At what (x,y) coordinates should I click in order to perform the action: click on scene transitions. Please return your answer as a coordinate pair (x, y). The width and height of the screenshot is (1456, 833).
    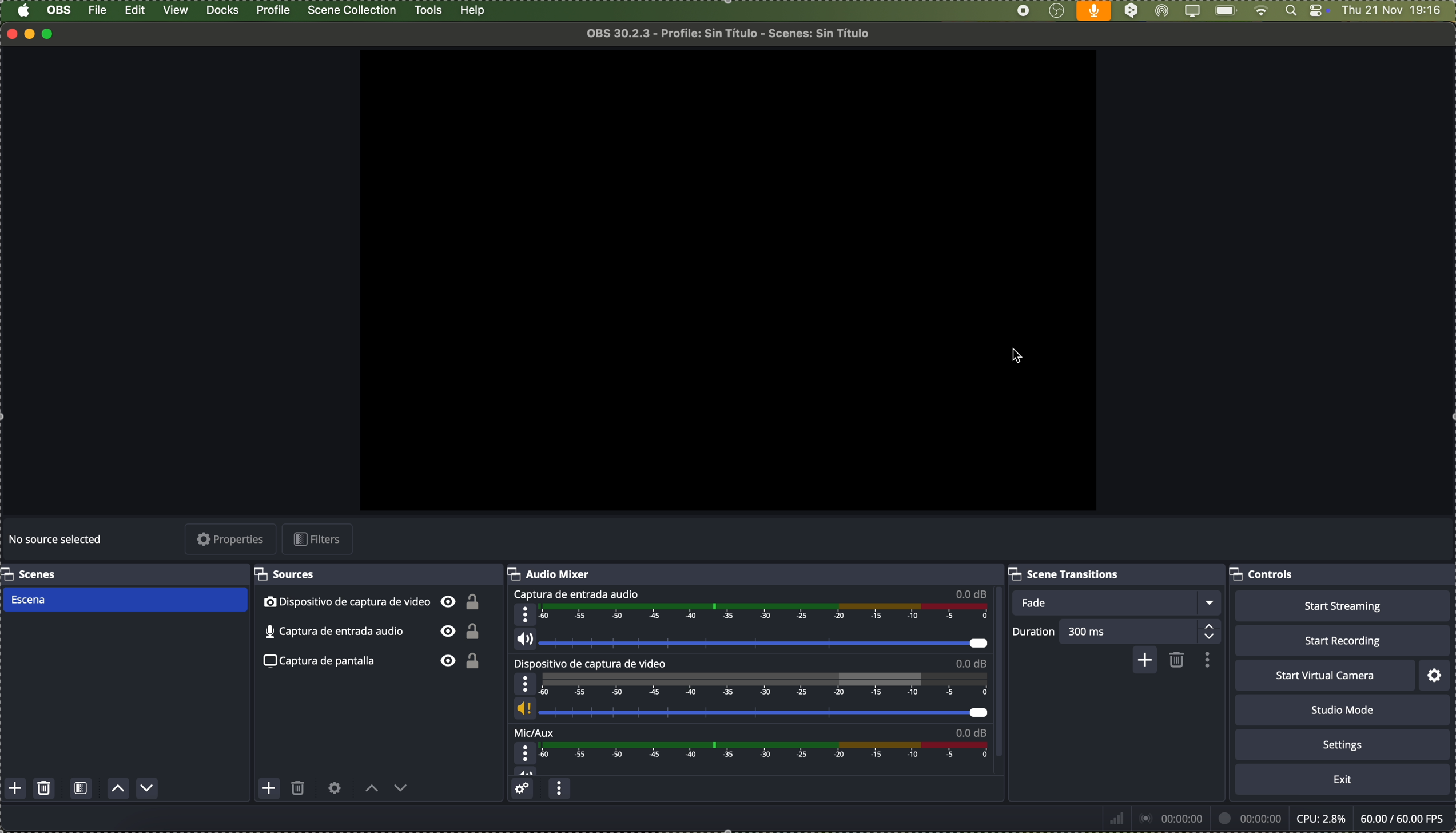
    Looking at the image, I should click on (1067, 573).